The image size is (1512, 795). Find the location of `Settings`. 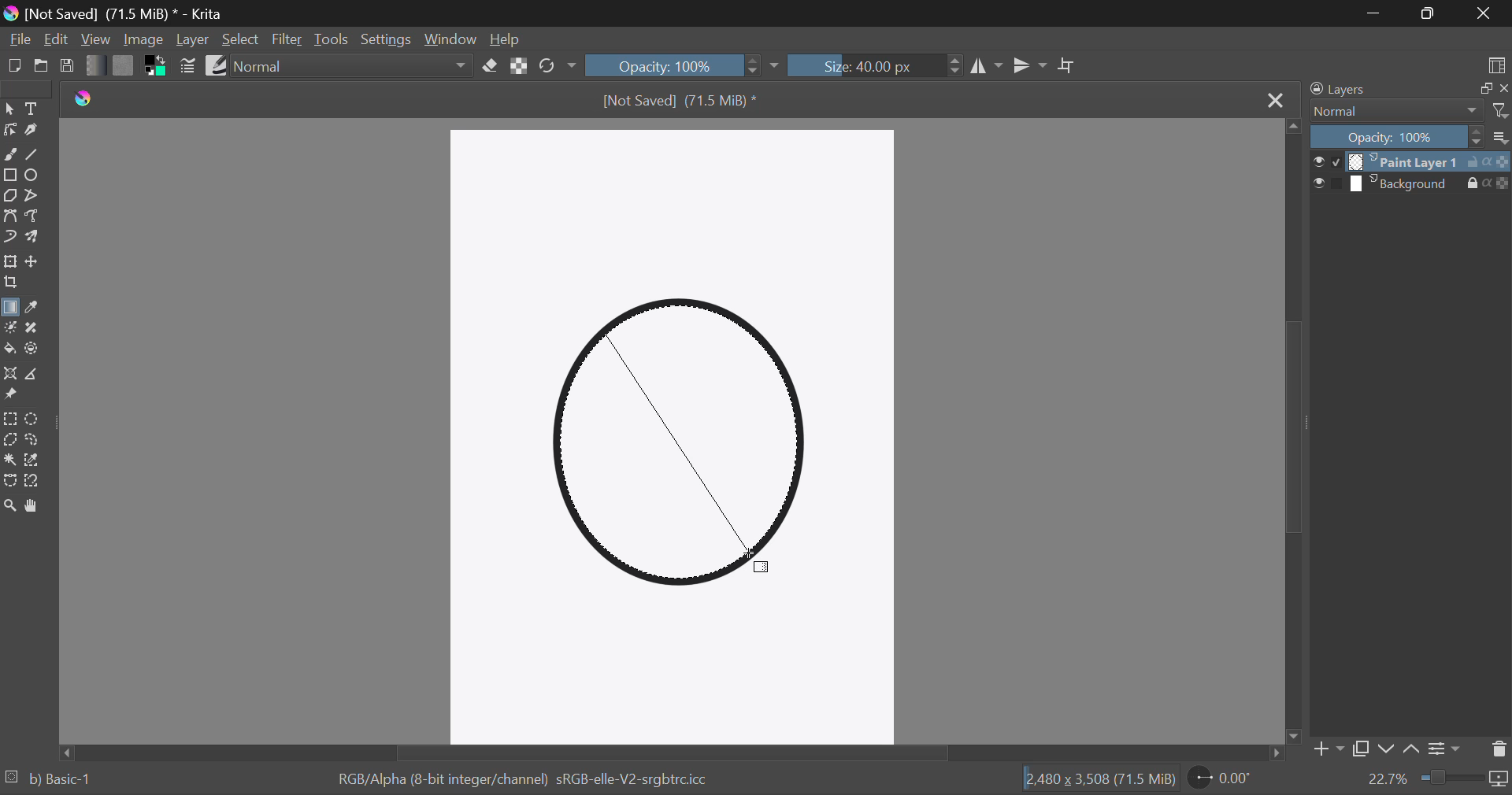

Settings is located at coordinates (384, 39).